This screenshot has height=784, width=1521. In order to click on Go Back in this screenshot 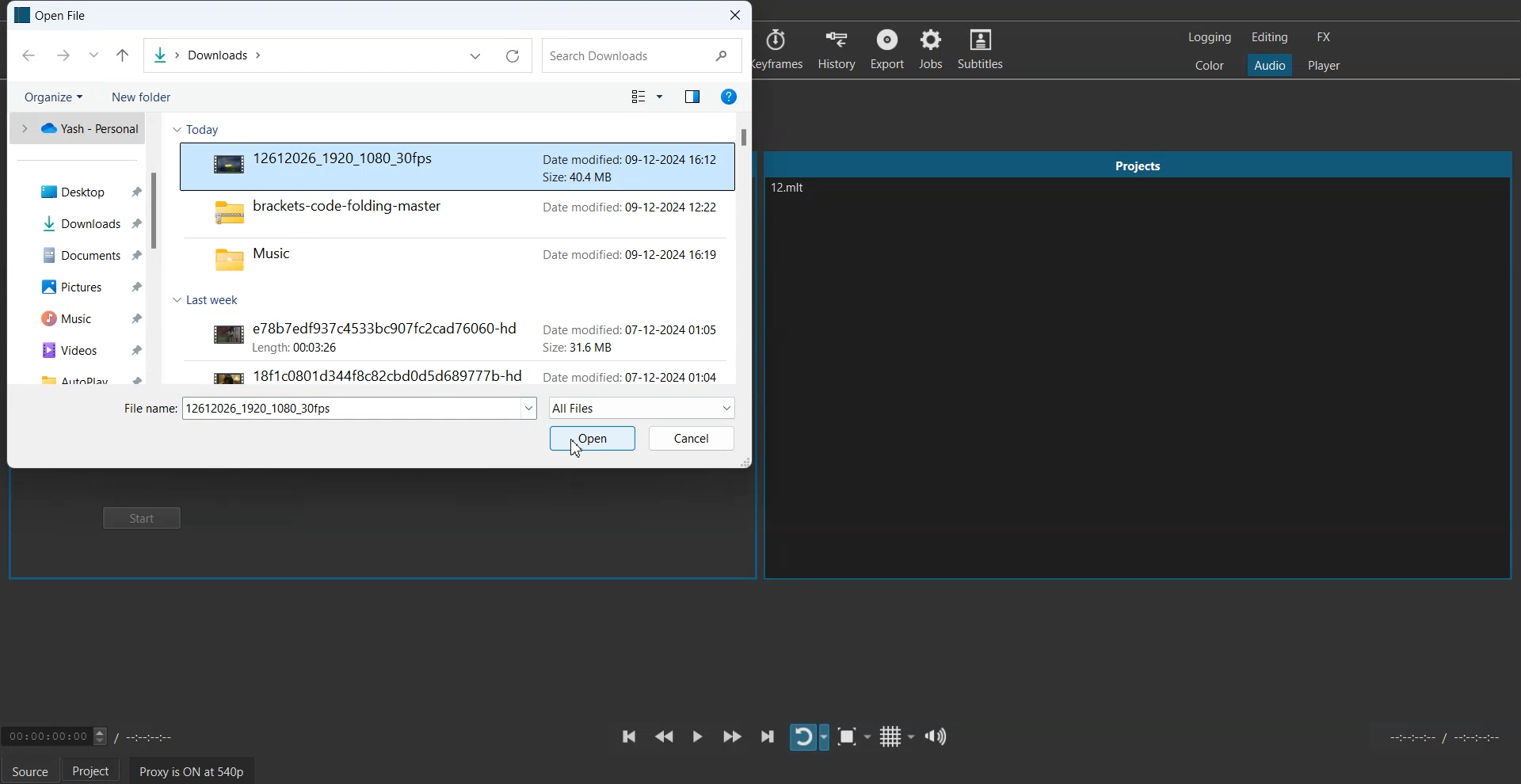, I will do `click(28, 55)`.